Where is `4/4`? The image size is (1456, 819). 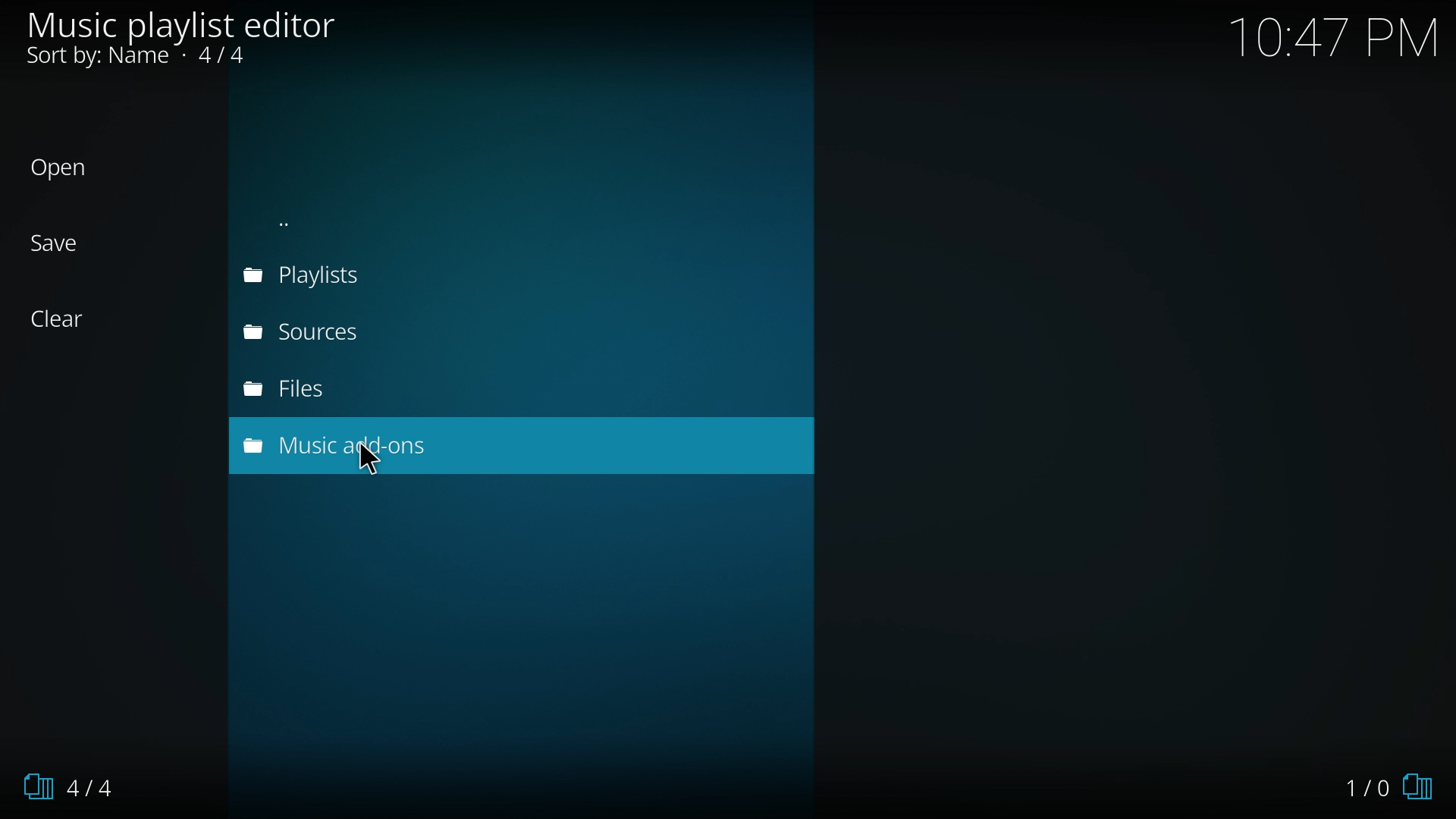 4/4 is located at coordinates (78, 785).